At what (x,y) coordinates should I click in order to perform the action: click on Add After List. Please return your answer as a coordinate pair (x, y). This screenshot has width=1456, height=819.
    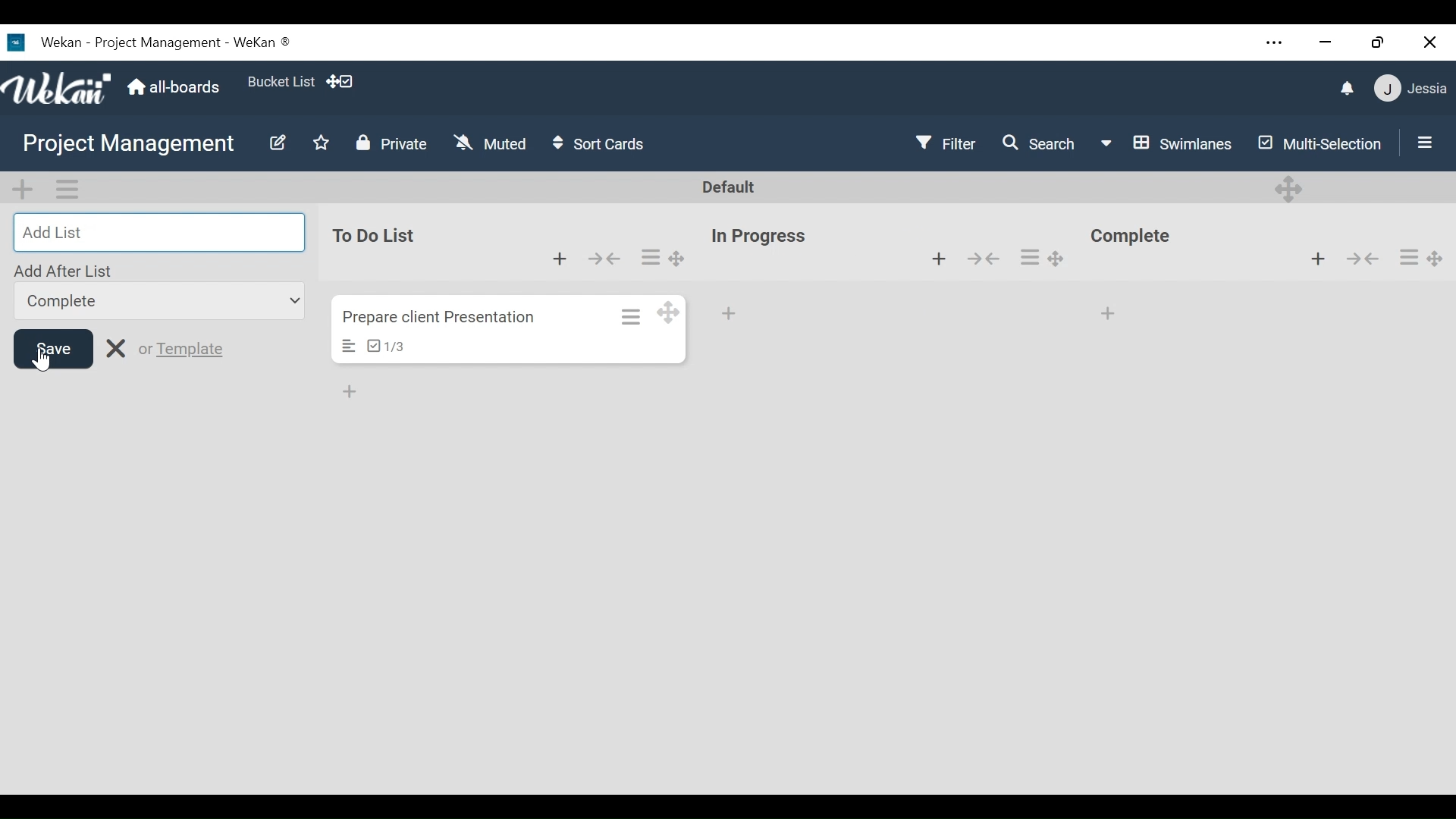
    Looking at the image, I should click on (67, 268).